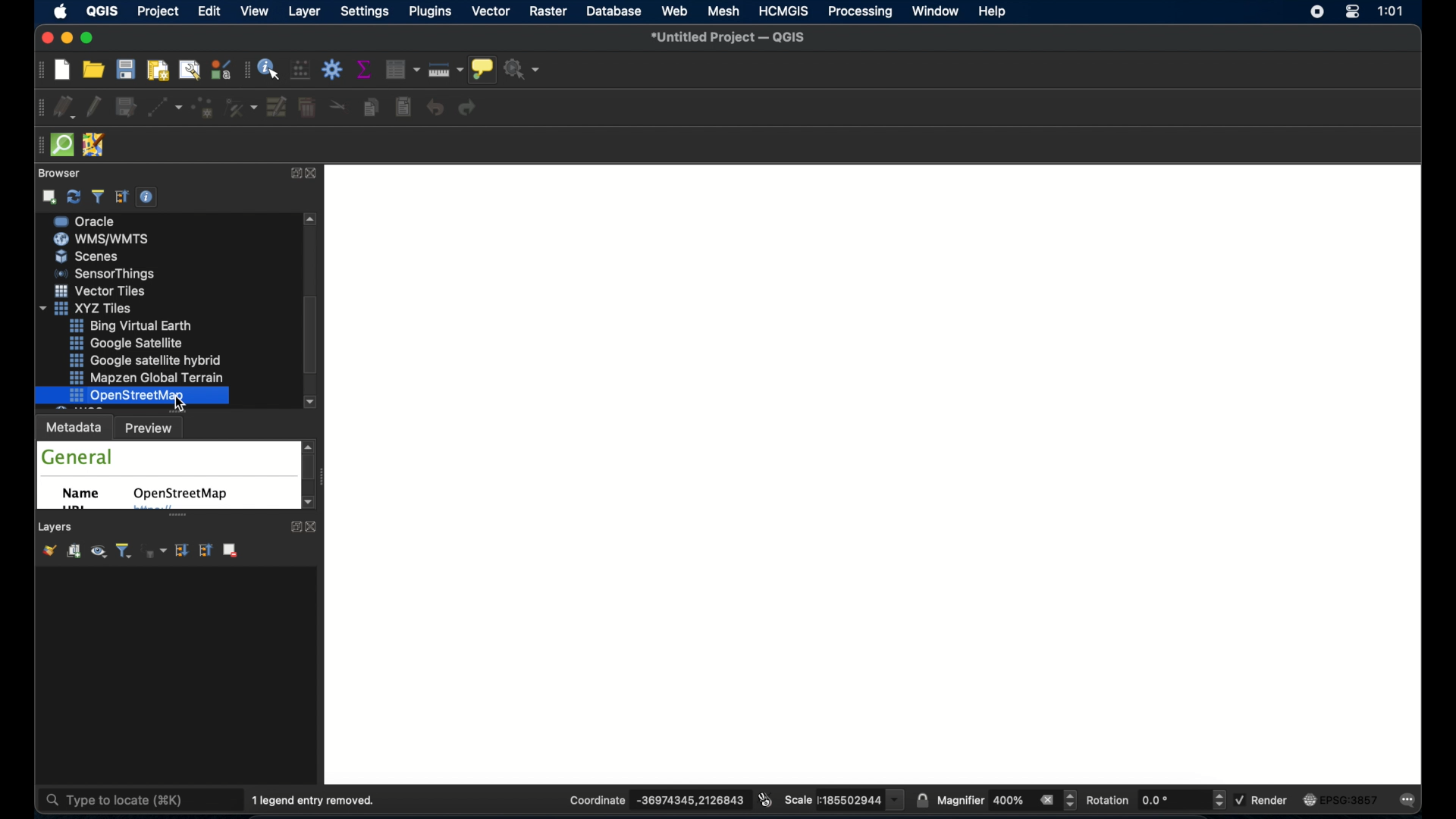  Describe the element at coordinates (102, 291) in the screenshot. I see `wms/wmts` at that location.